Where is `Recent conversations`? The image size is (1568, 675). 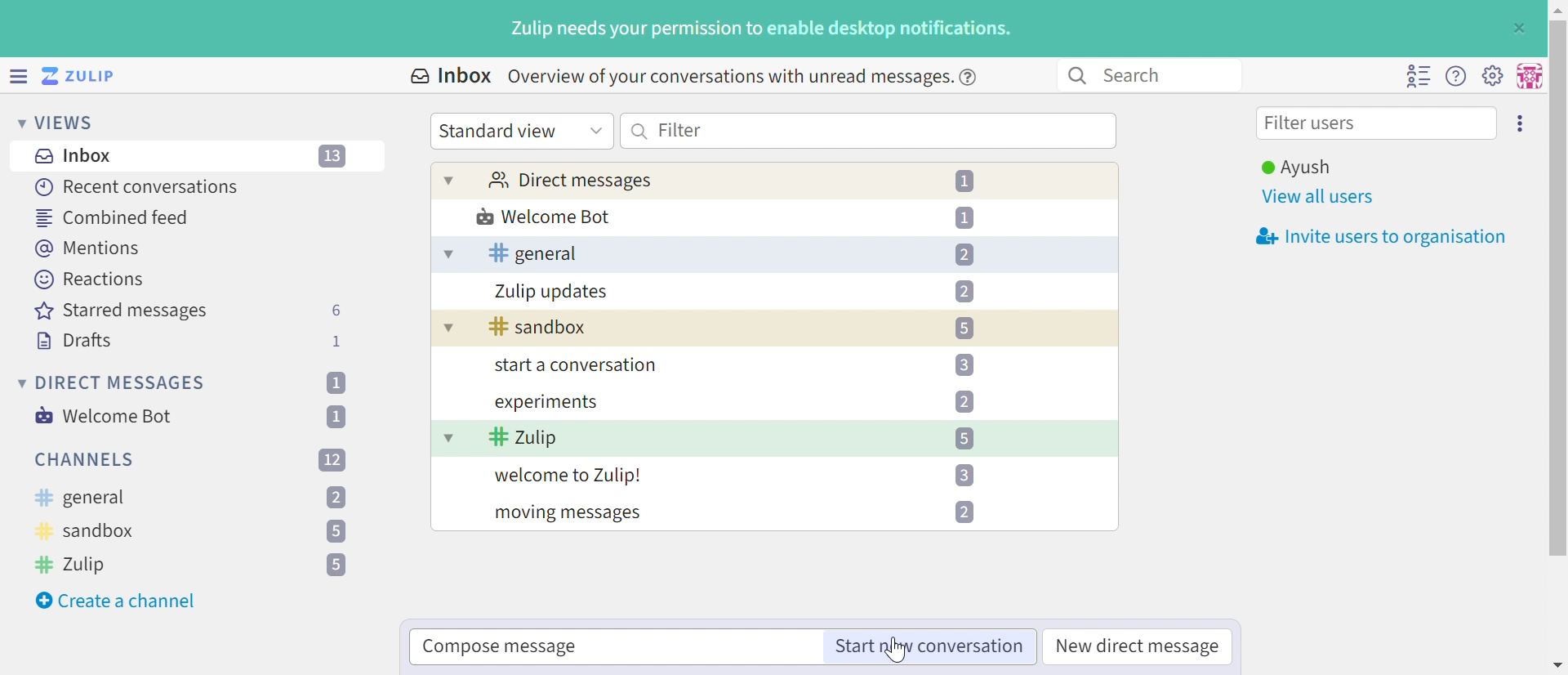 Recent conversations is located at coordinates (138, 186).